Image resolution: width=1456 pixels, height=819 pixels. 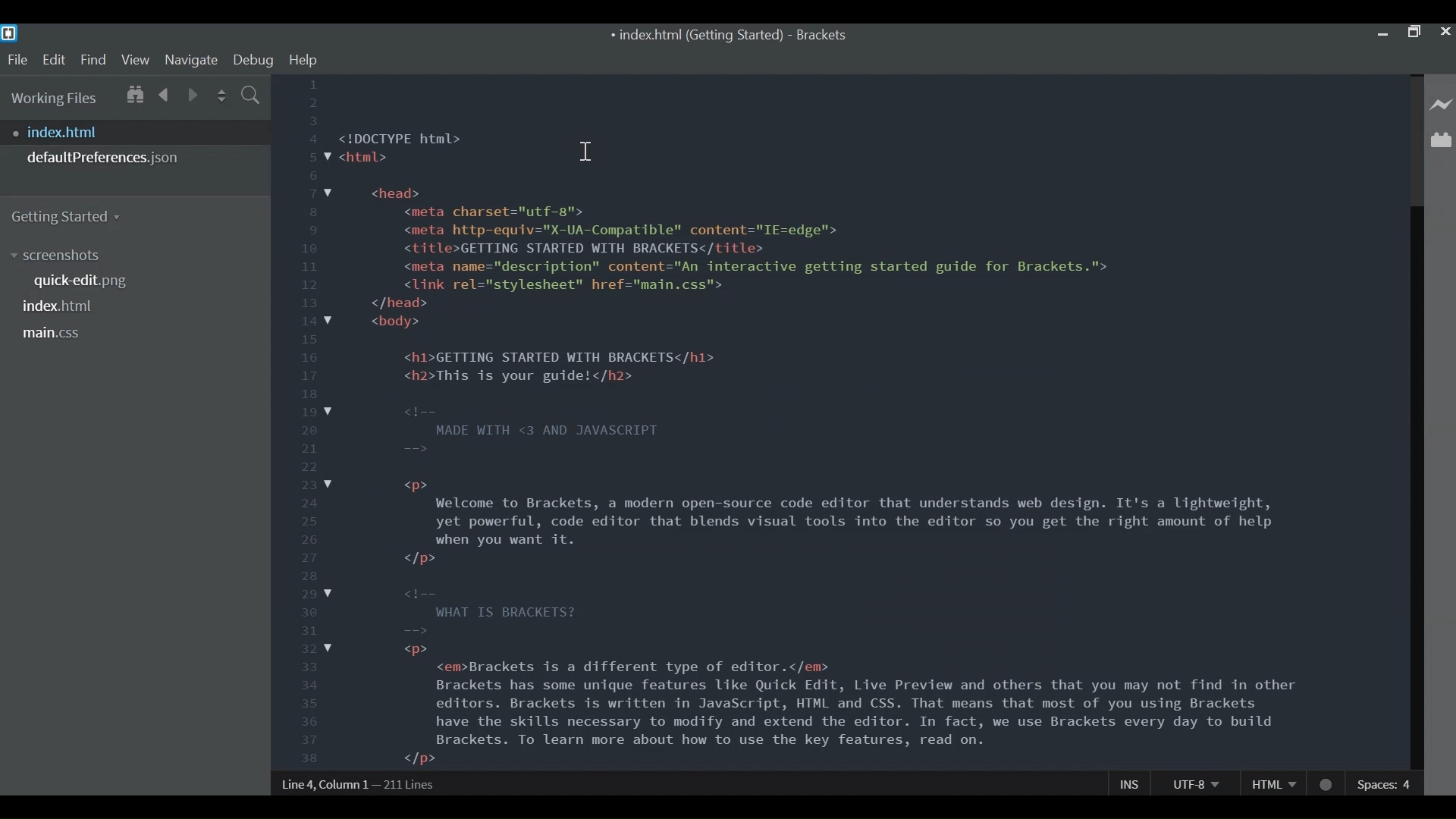 I want to click on line number, so click(x=306, y=422).